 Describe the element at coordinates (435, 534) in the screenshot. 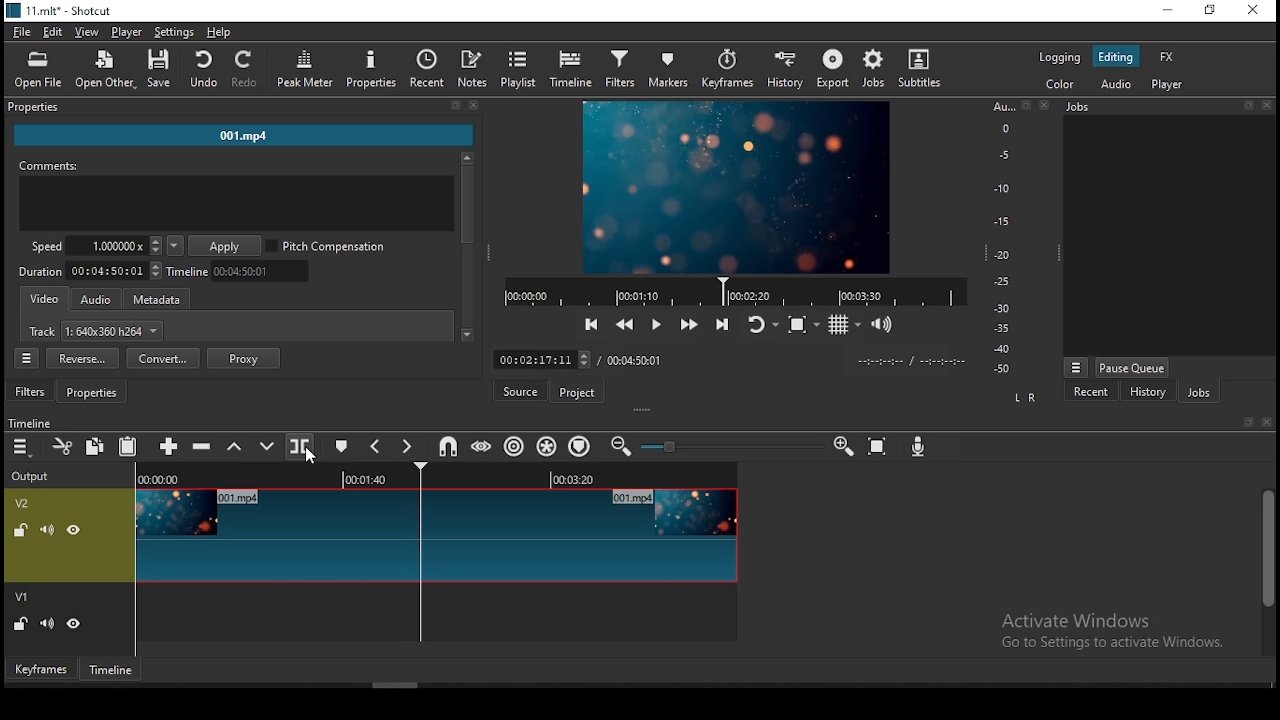

I see `video track V2` at that location.